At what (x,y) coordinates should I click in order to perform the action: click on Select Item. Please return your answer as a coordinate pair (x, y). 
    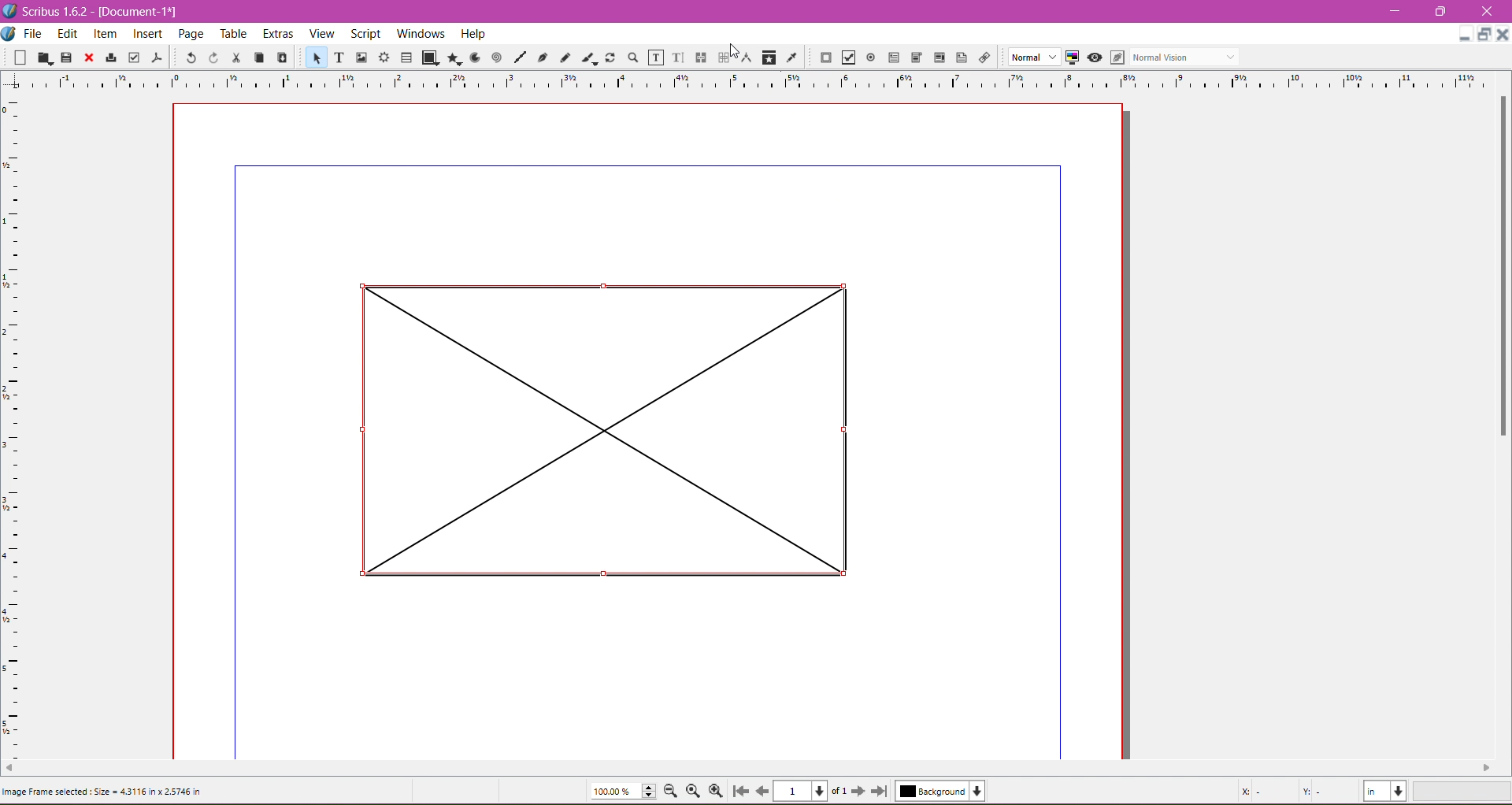
    Looking at the image, I should click on (316, 57).